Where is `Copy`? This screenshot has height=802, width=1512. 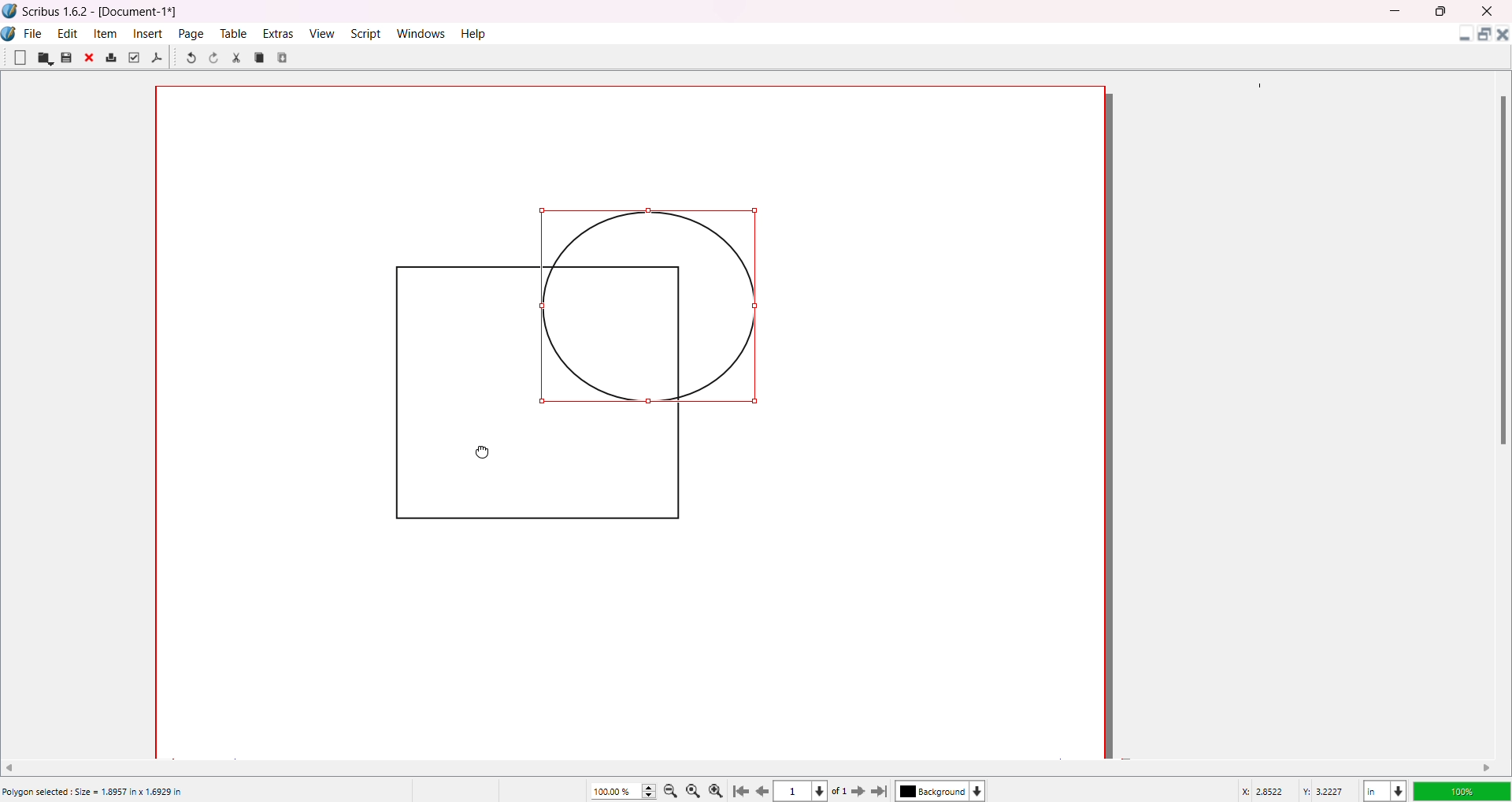
Copy is located at coordinates (260, 57).